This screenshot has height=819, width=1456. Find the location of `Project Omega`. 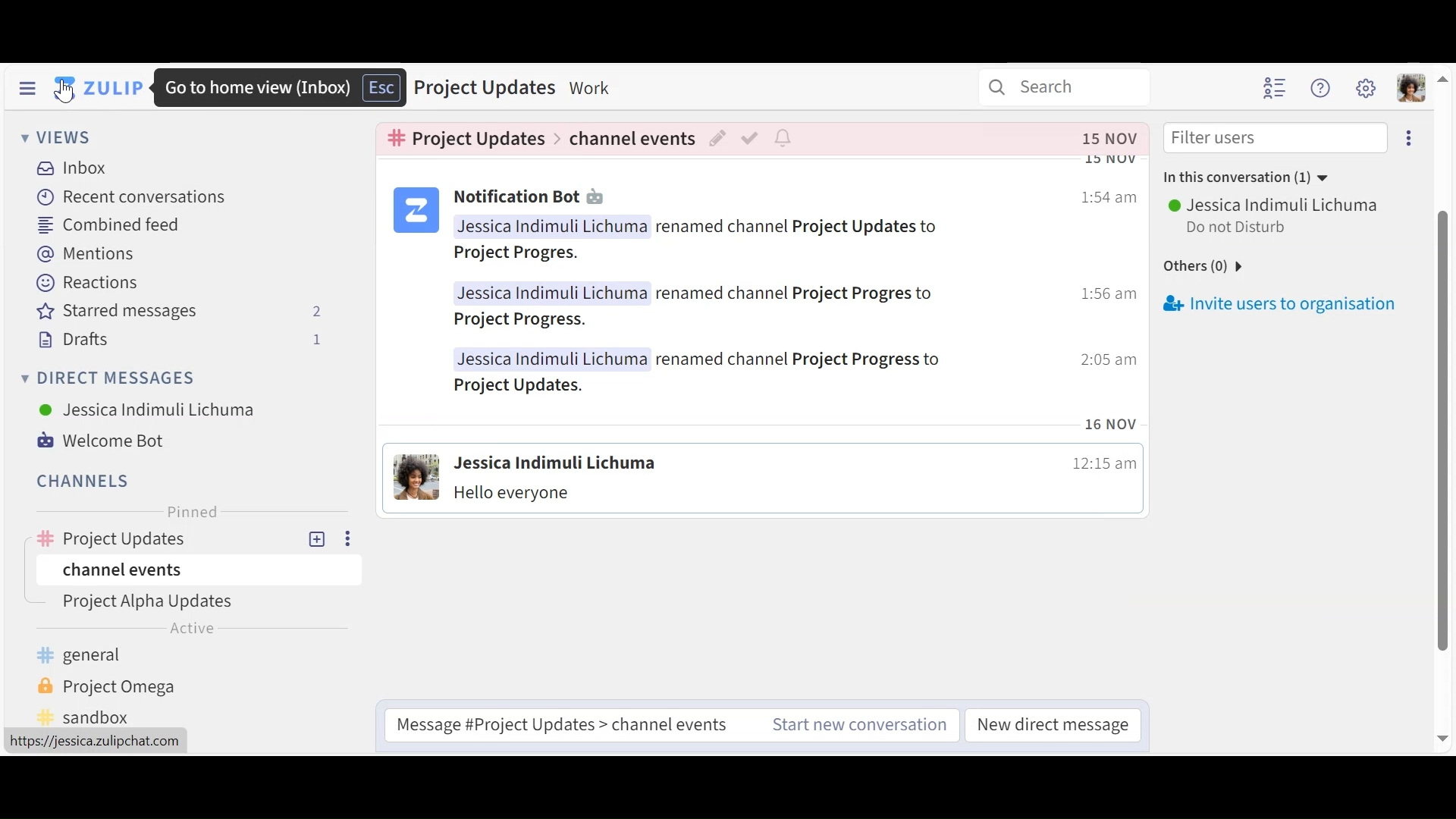

Project Omega is located at coordinates (129, 686).